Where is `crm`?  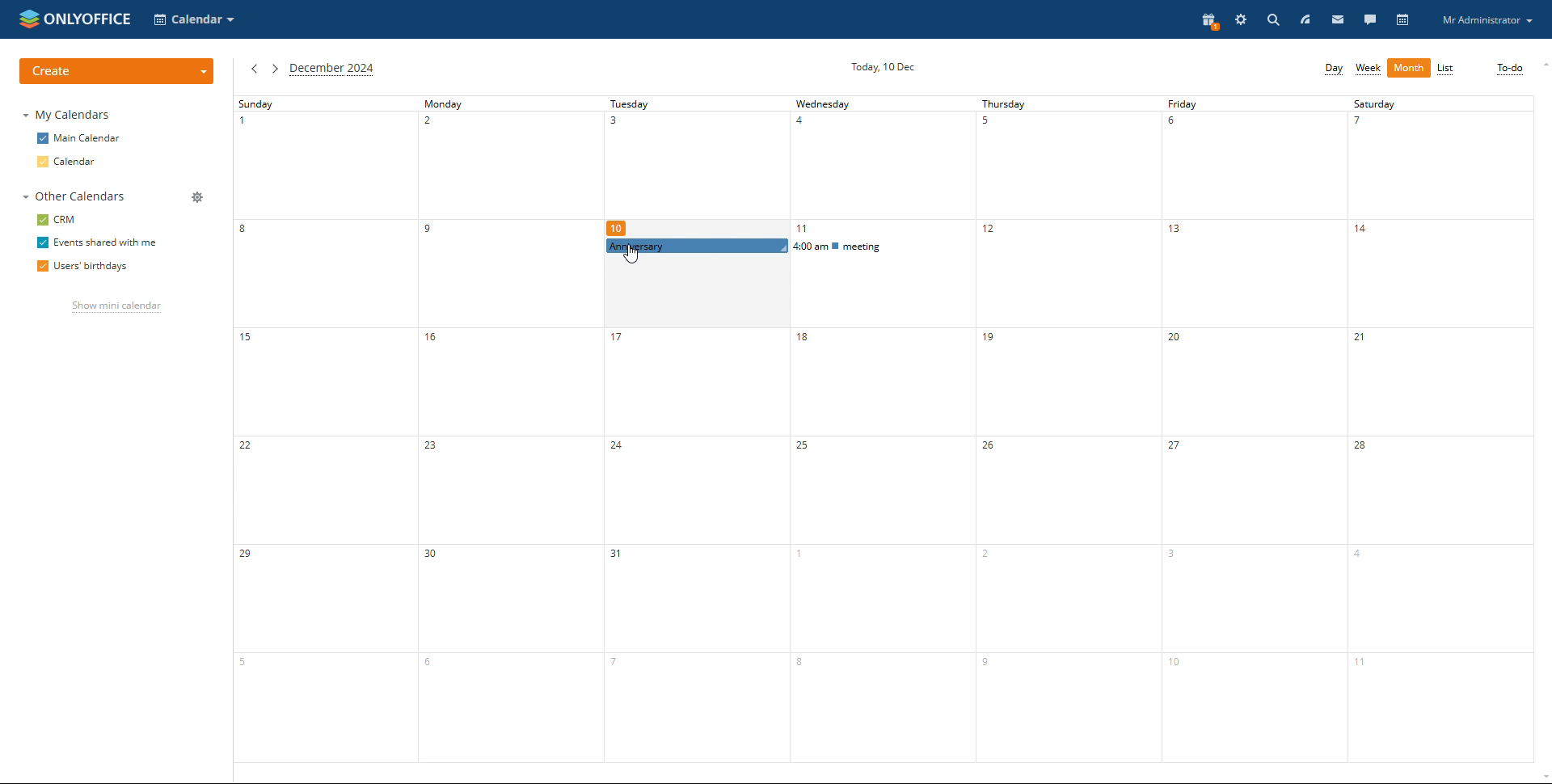 crm is located at coordinates (57, 221).